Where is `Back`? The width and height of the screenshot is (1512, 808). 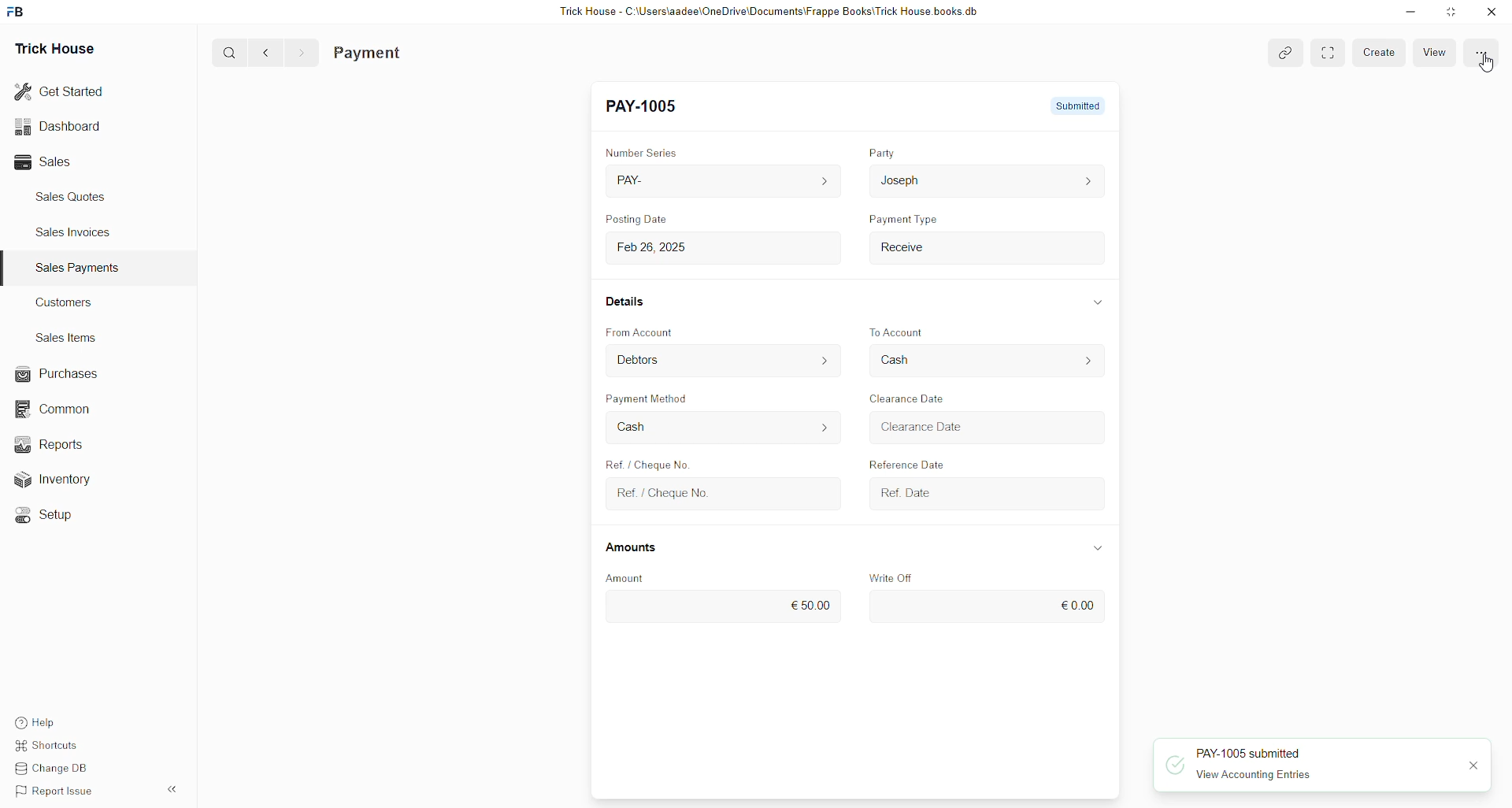 Back is located at coordinates (266, 54).